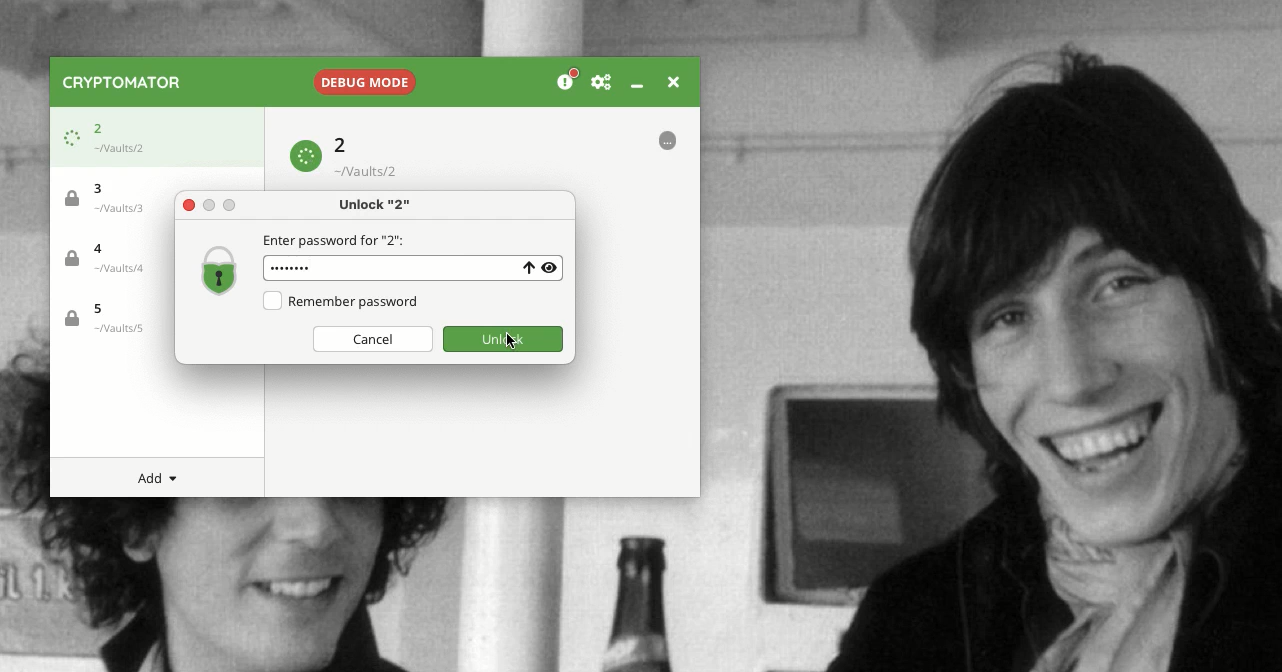 This screenshot has height=672, width=1282. Describe the element at coordinates (362, 78) in the screenshot. I see `Debug mode` at that location.